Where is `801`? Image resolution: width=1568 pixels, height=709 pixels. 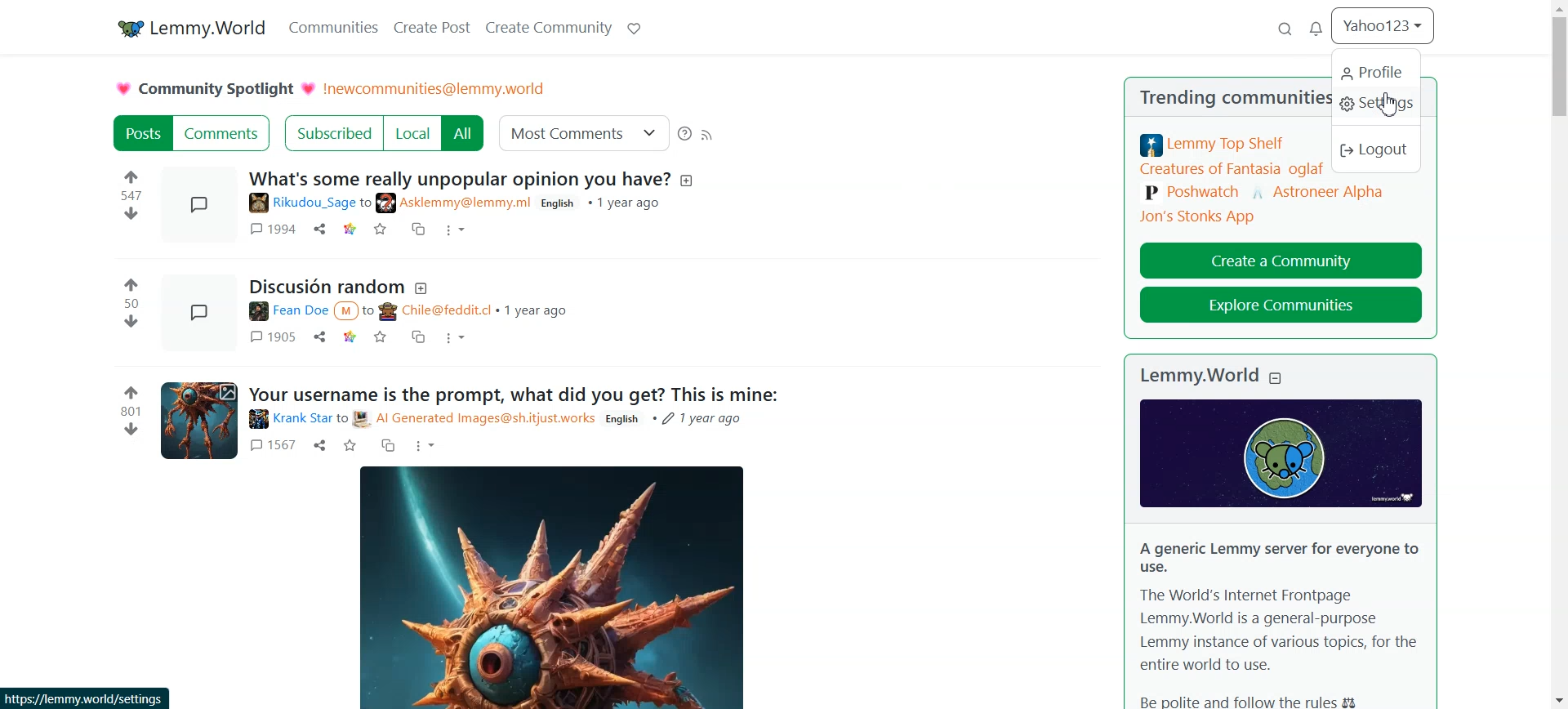 801 is located at coordinates (129, 412).